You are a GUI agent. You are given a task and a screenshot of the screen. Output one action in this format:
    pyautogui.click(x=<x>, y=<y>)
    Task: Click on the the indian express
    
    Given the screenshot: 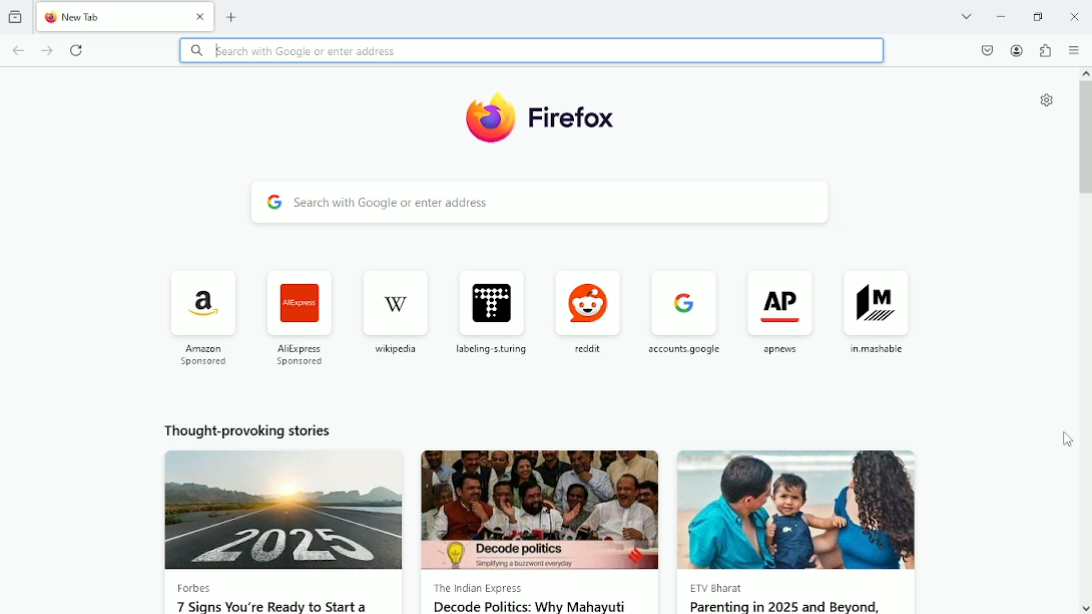 What is the action you would take?
    pyautogui.click(x=487, y=589)
    